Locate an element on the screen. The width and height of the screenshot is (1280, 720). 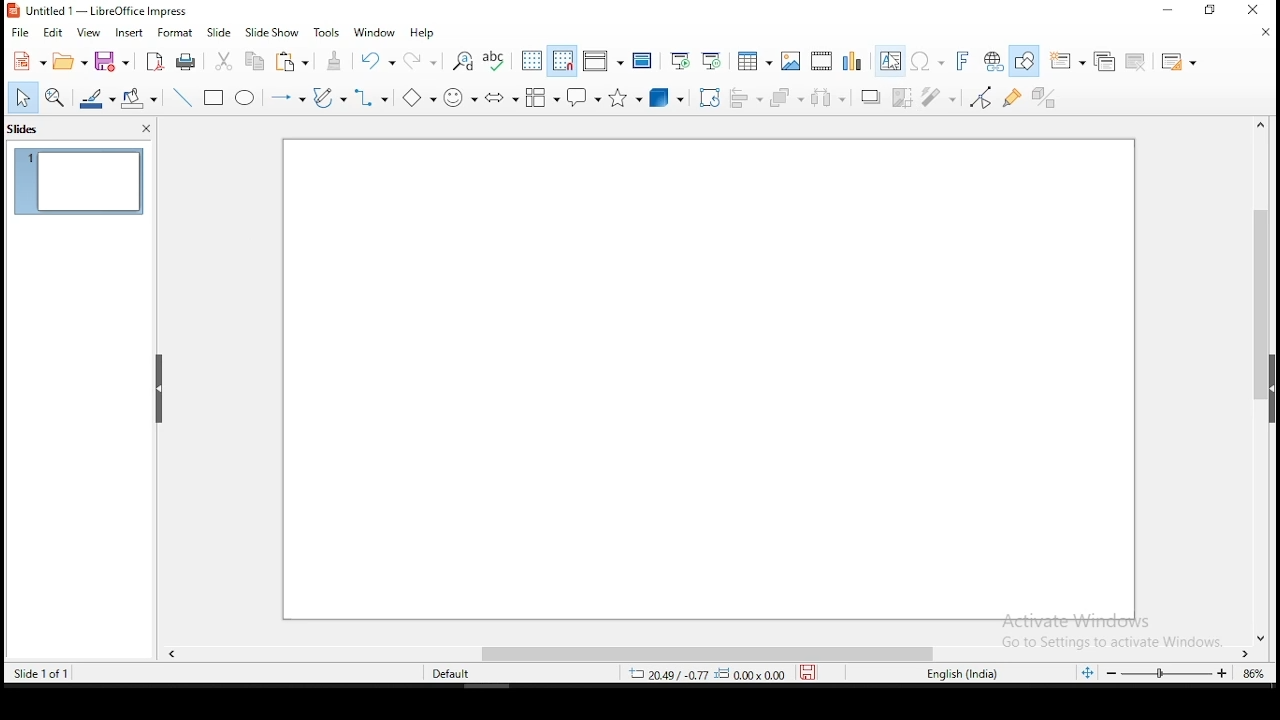
paint bucket tool is located at coordinates (138, 100).